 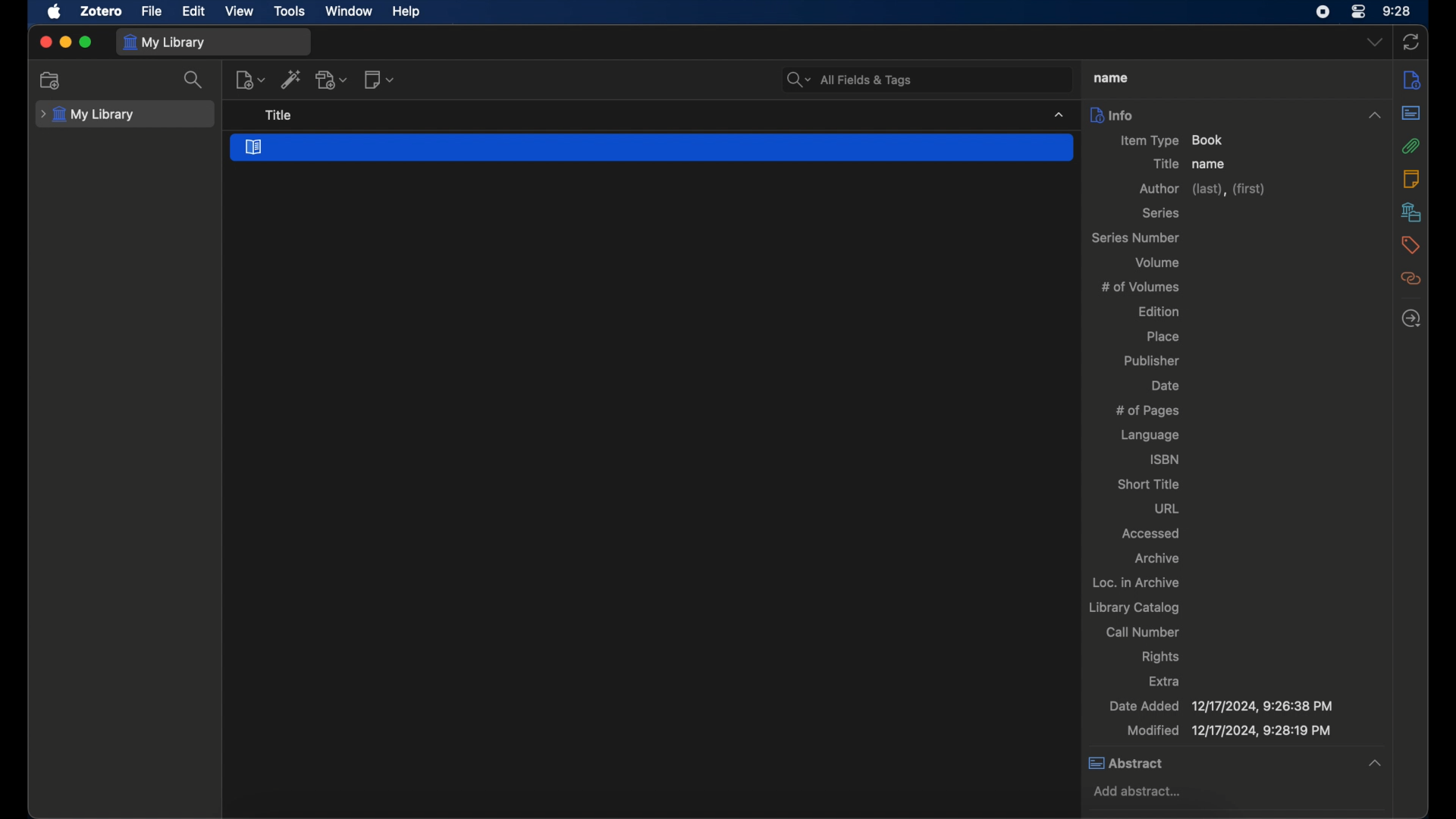 What do you see at coordinates (152, 12) in the screenshot?
I see `file` at bounding box center [152, 12].